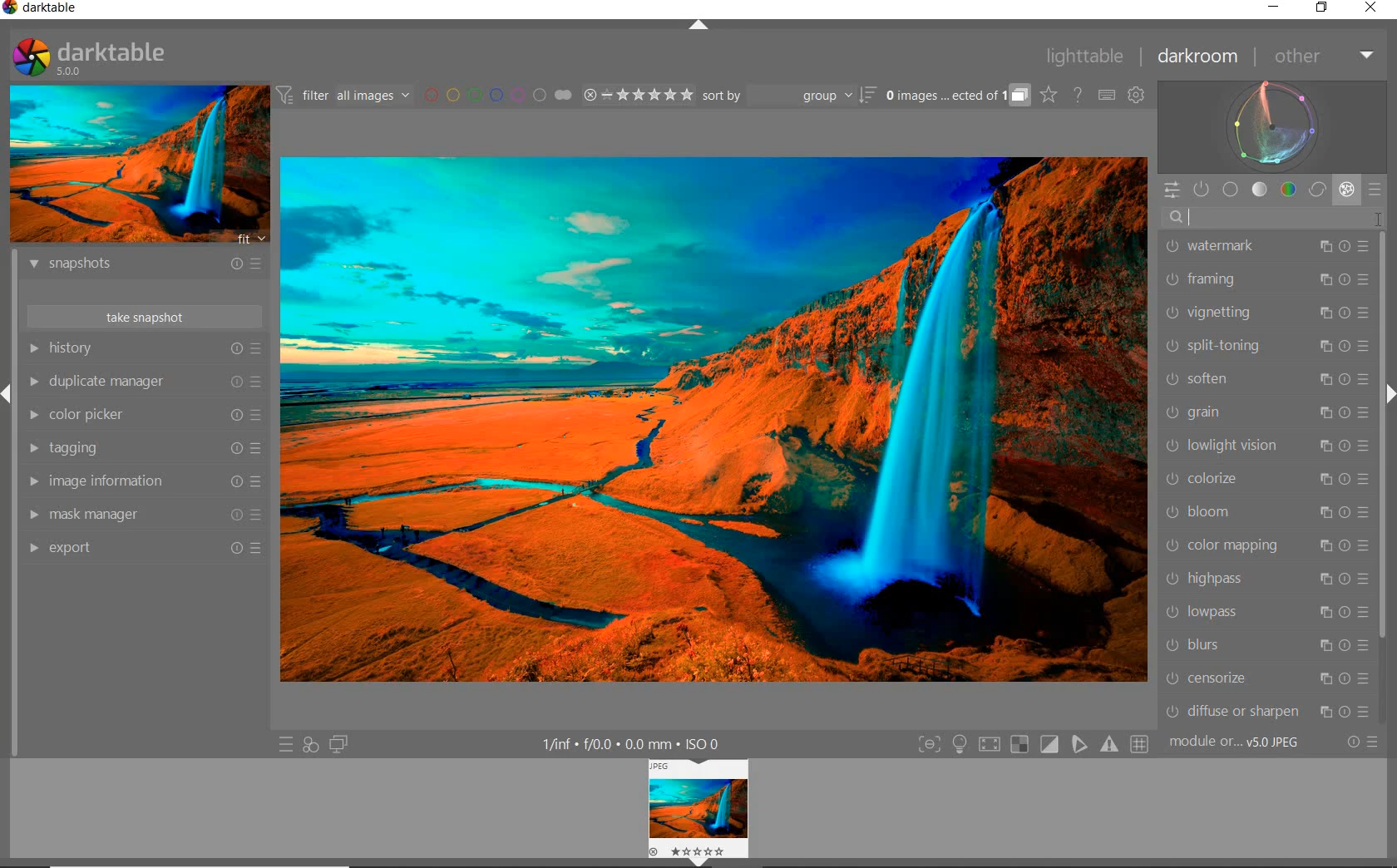 The height and width of the screenshot is (868, 1397). Describe the element at coordinates (1202, 190) in the screenshot. I see `SHOW ONLY ACTIVE MODULES` at that location.